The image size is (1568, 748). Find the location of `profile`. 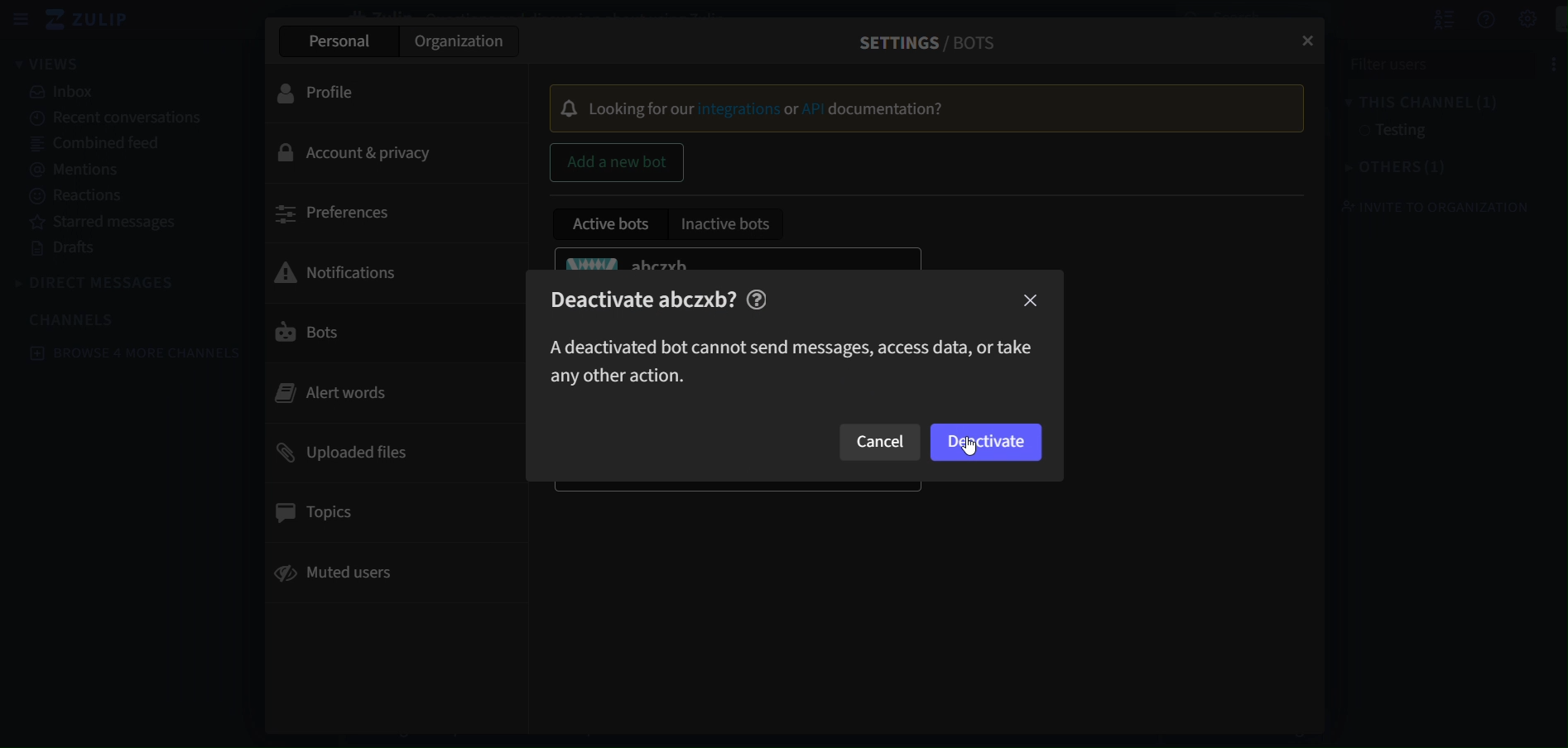

profile is located at coordinates (331, 93).